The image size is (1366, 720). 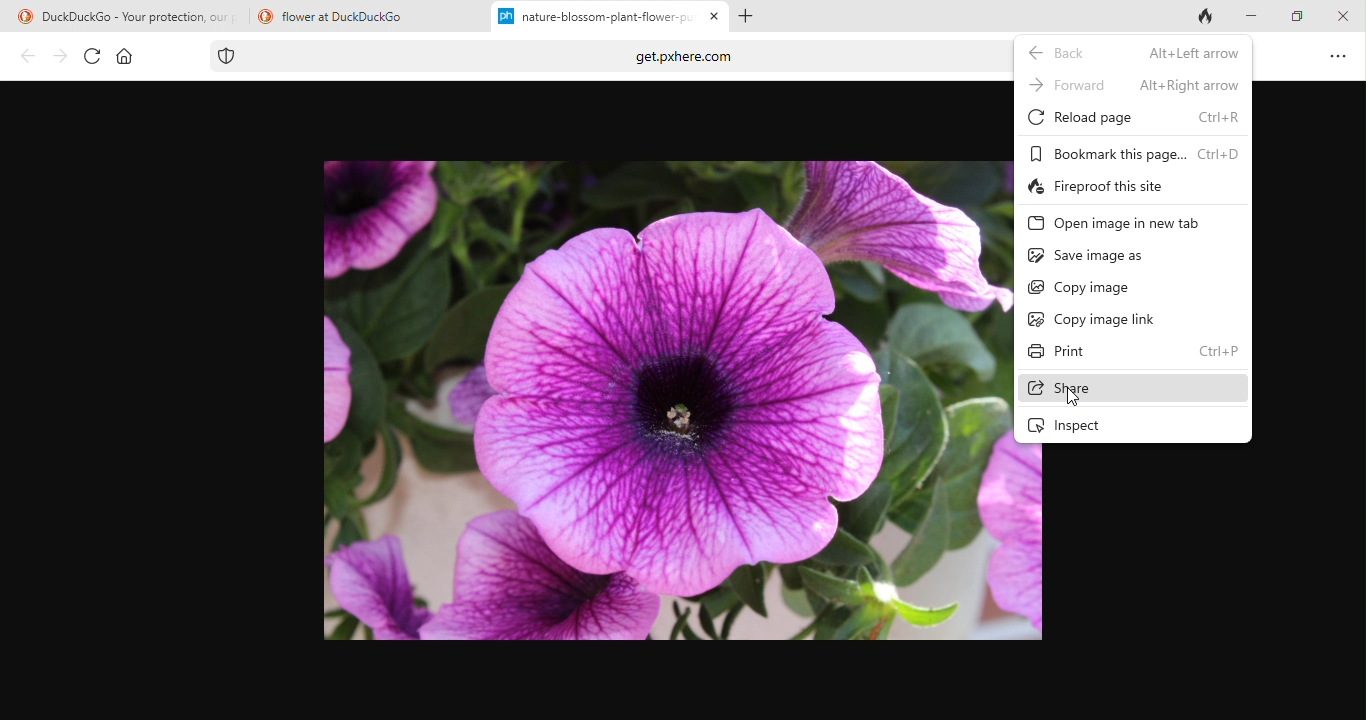 I want to click on save image as, so click(x=1086, y=257).